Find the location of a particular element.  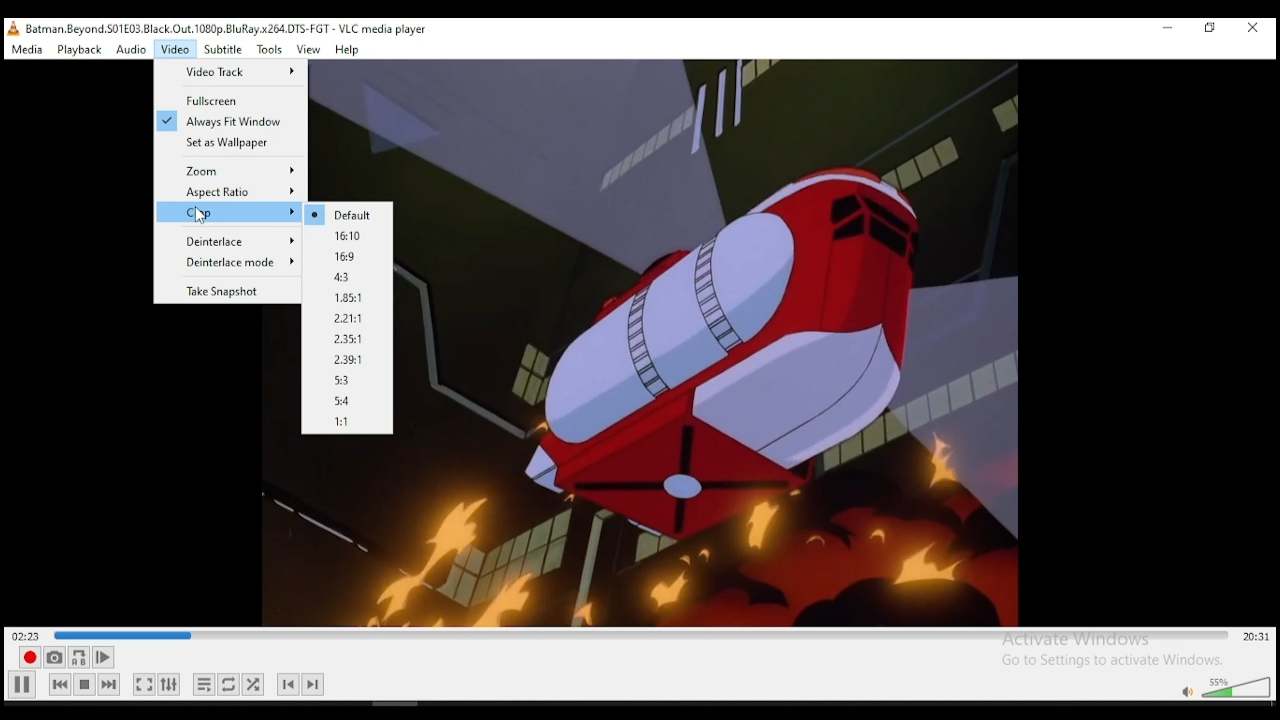

16.9 is located at coordinates (346, 257).